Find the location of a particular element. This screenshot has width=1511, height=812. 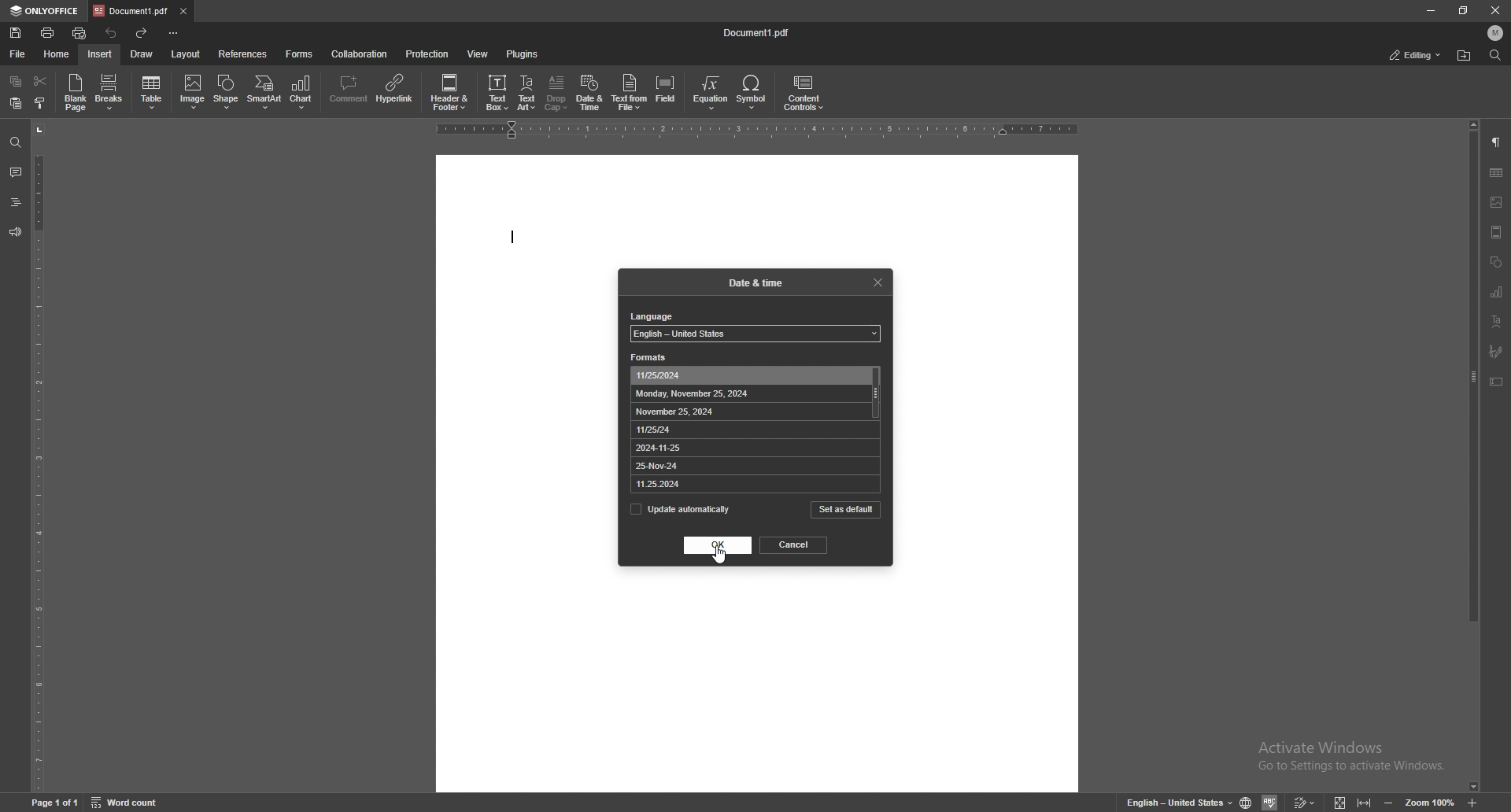

file name is located at coordinates (759, 34).